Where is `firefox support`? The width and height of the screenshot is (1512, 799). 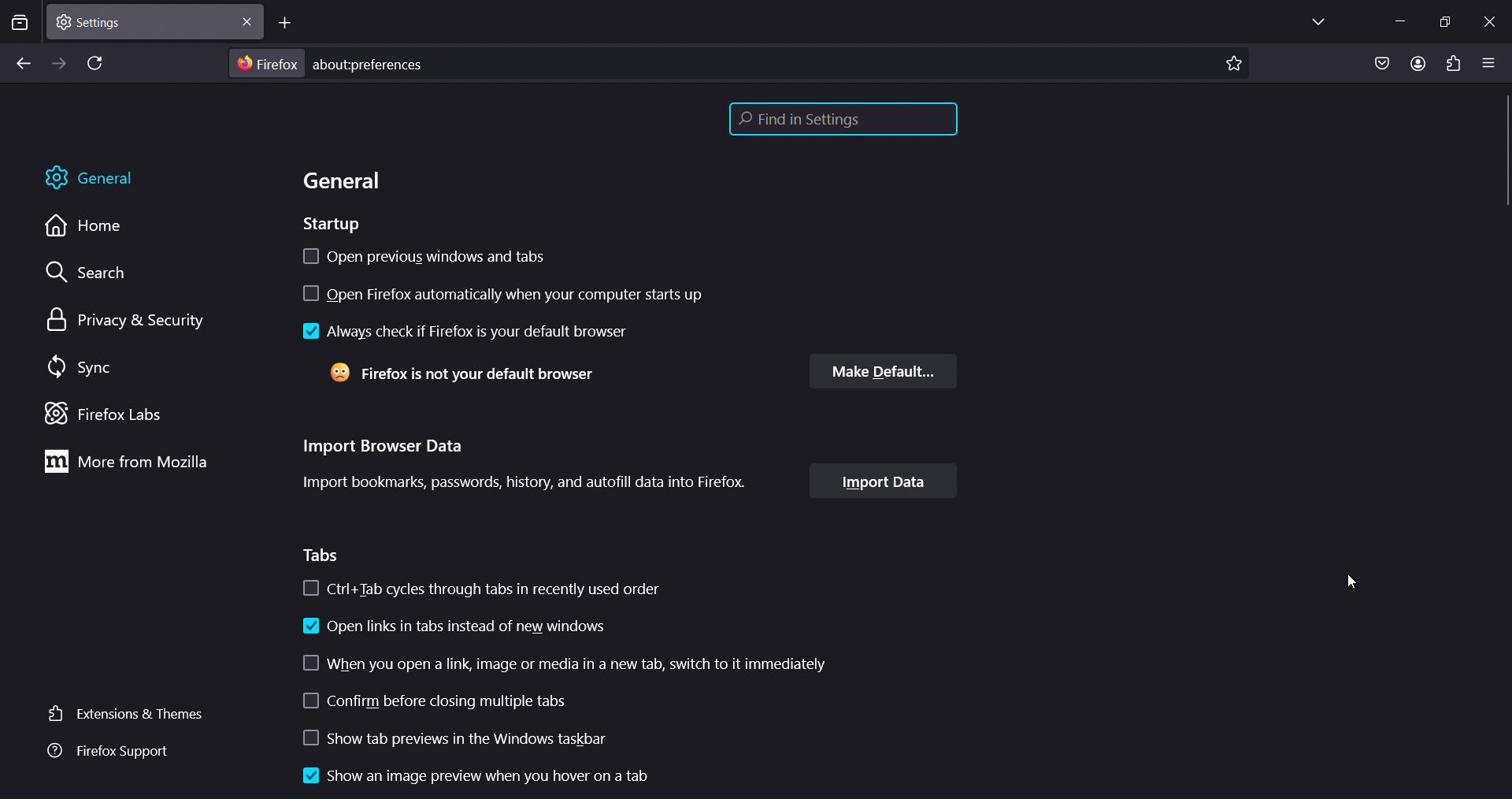
firefox support is located at coordinates (120, 755).